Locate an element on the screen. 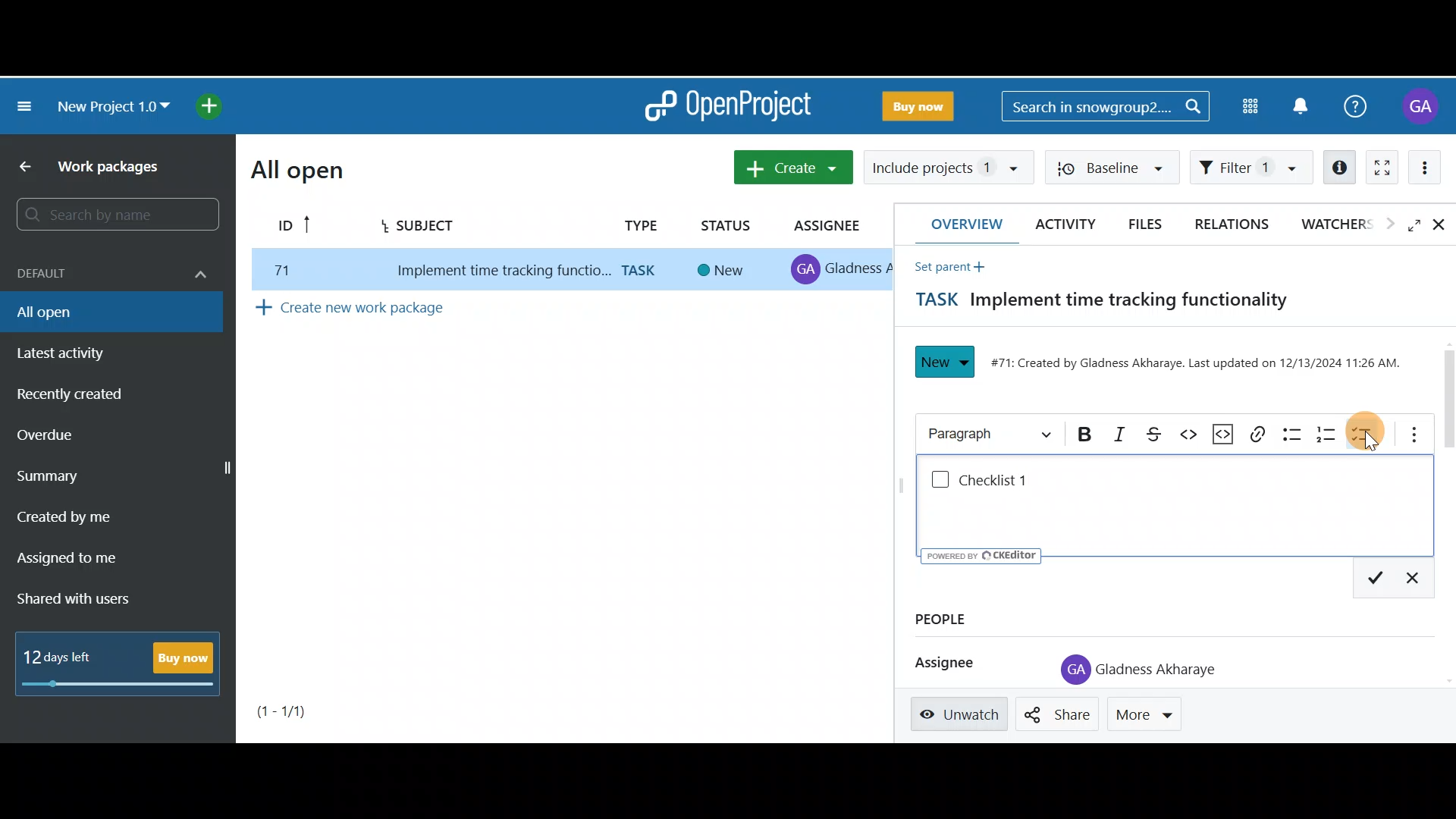 Image resolution: width=1456 pixels, height=819 pixels. Numbered list is located at coordinates (1329, 431).